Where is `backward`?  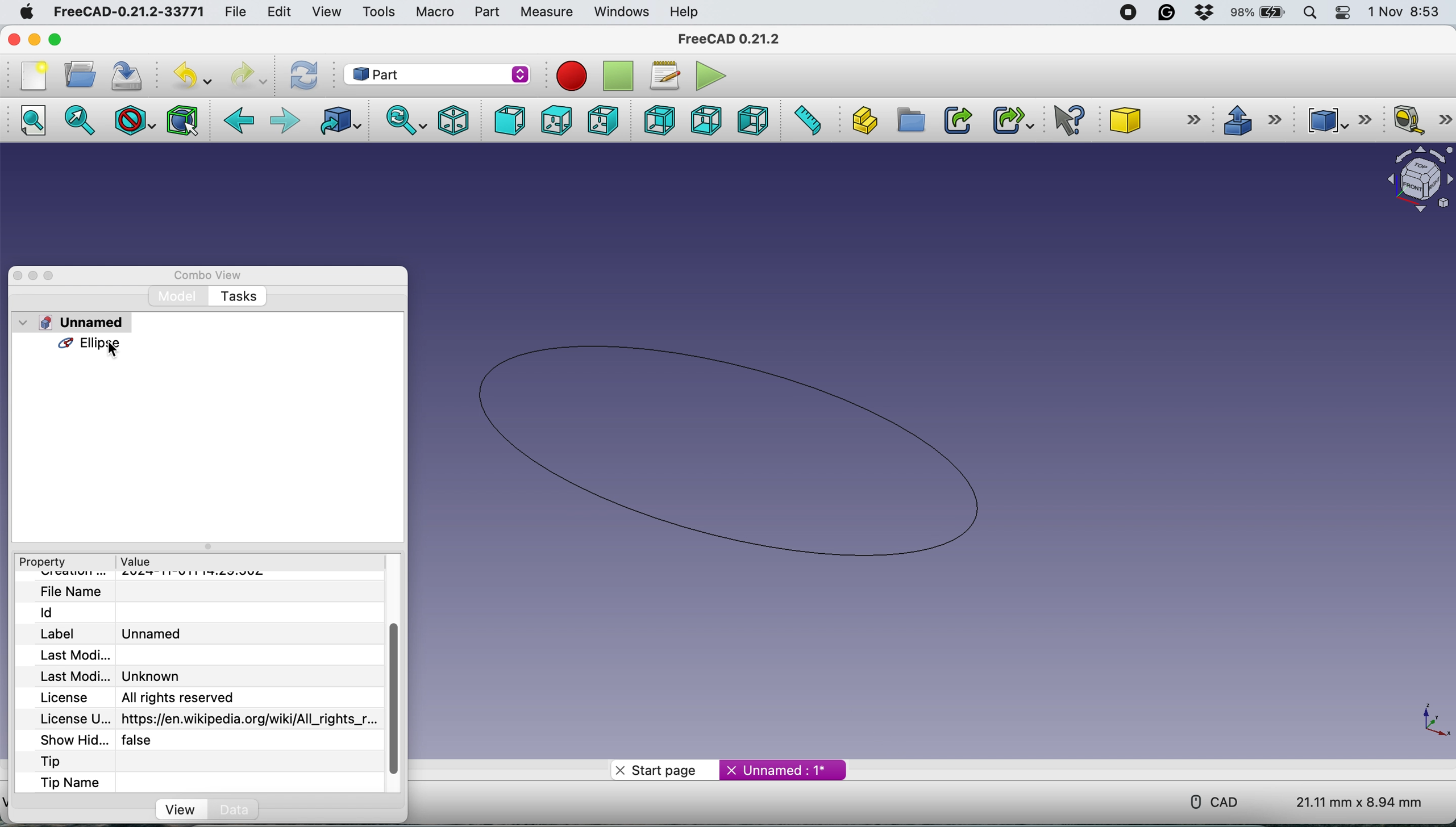
backward is located at coordinates (243, 122).